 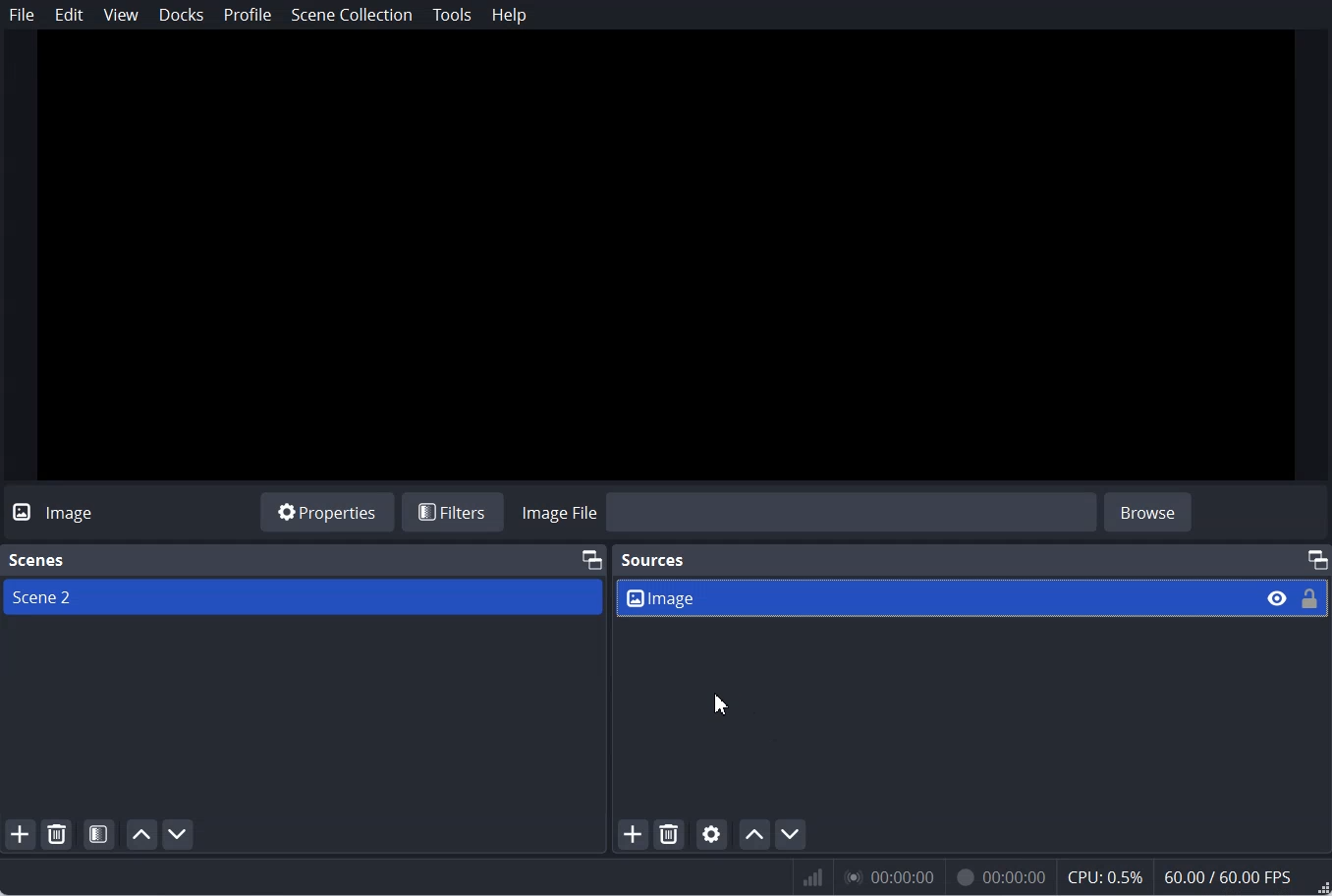 I want to click on Help, so click(x=510, y=16).